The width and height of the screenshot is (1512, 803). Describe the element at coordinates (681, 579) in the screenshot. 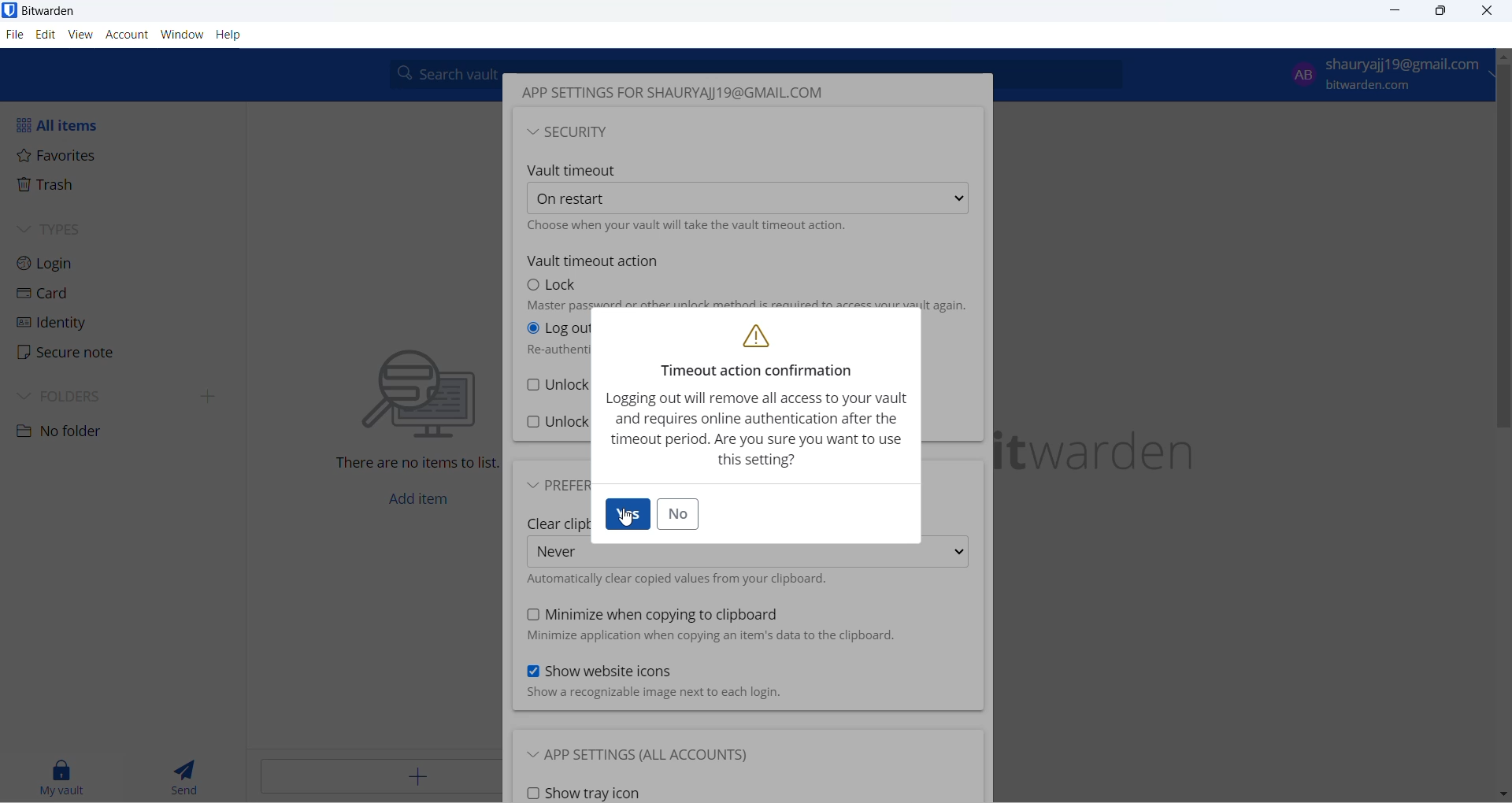

I see `checkbox` at that location.